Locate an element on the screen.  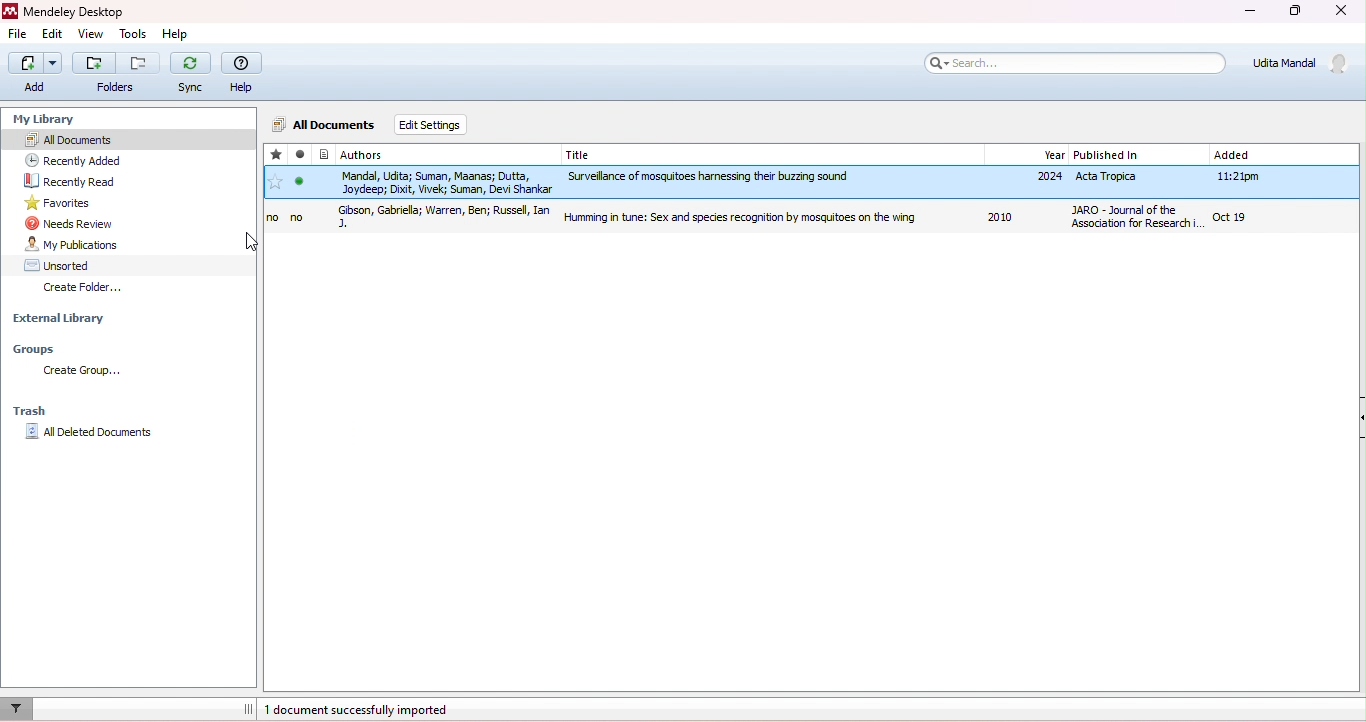
read/unread is located at coordinates (301, 156).